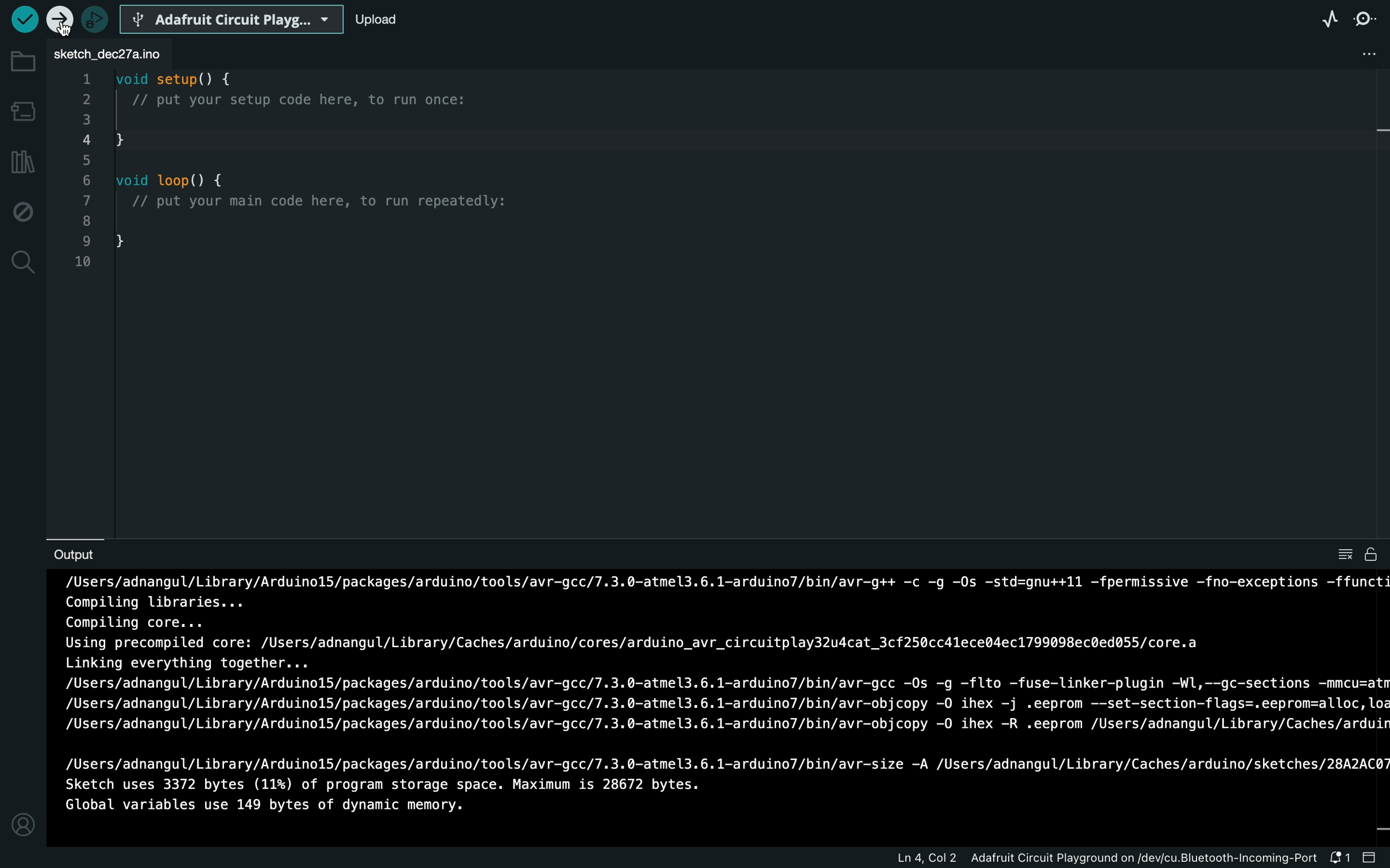 Image resolution: width=1390 pixels, height=868 pixels. Describe the element at coordinates (1325, 19) in the screenshot. I see `serial plotter` at that location.